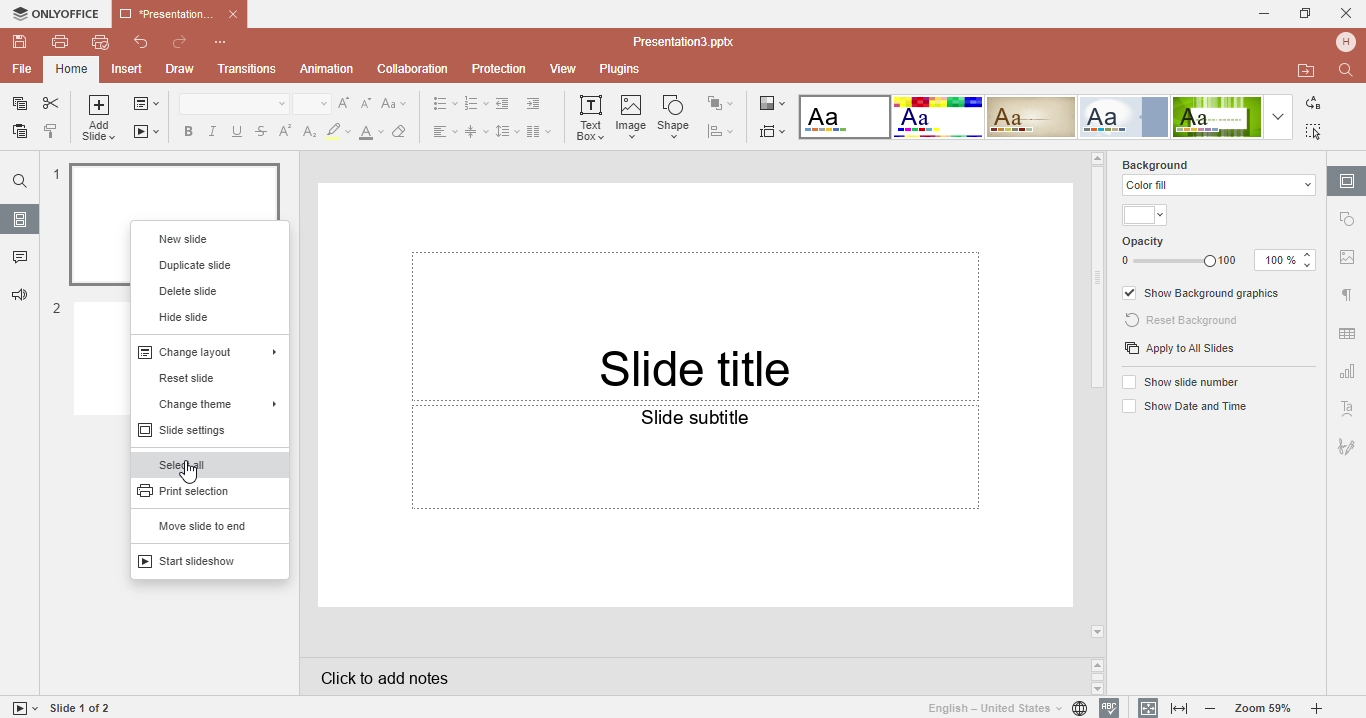 This screenshot has width=1366, height=718. I want to click on Themes color, so click(1147, 216).